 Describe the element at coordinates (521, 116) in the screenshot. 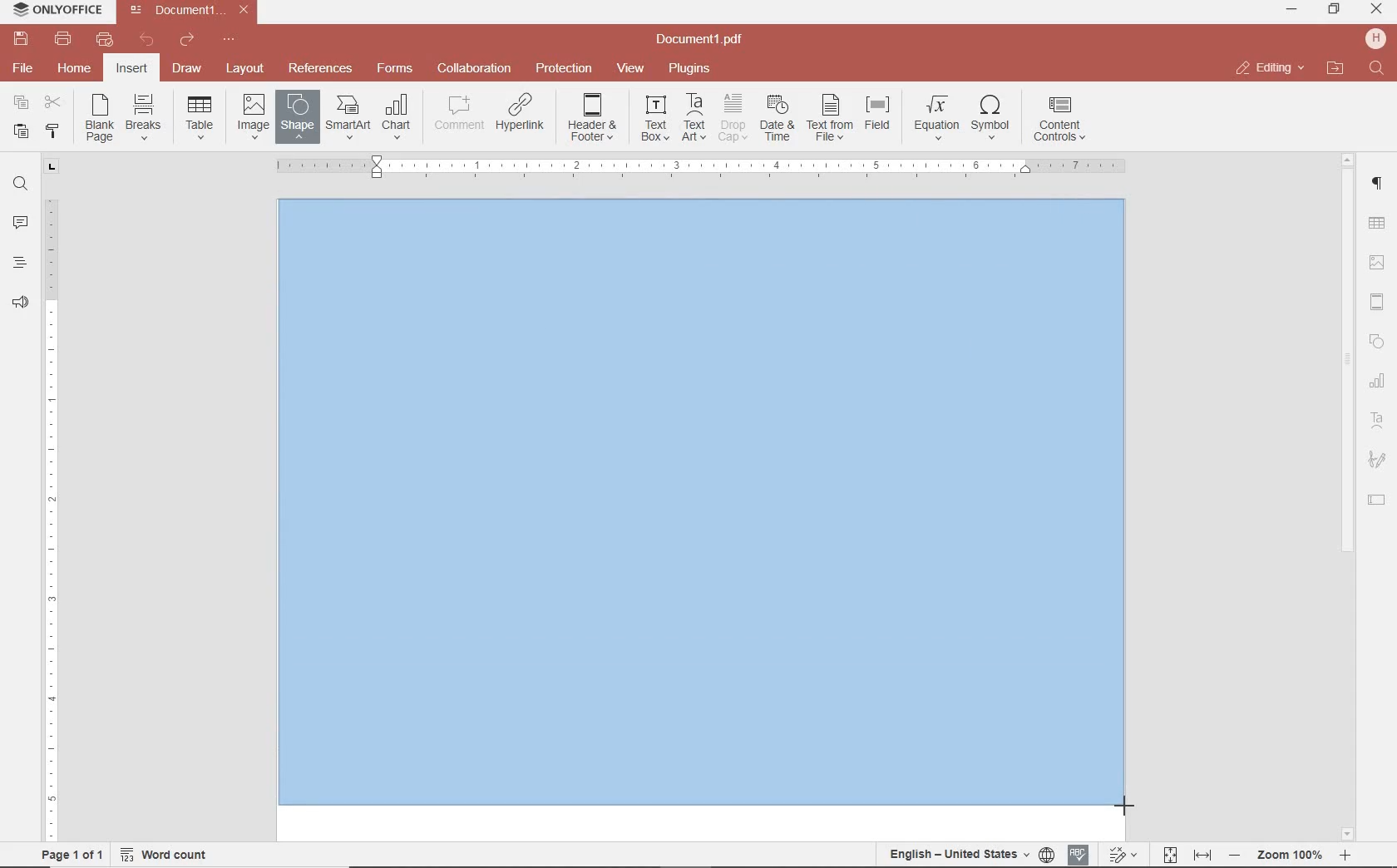

I see `ADD HYPERLINK` at that location.